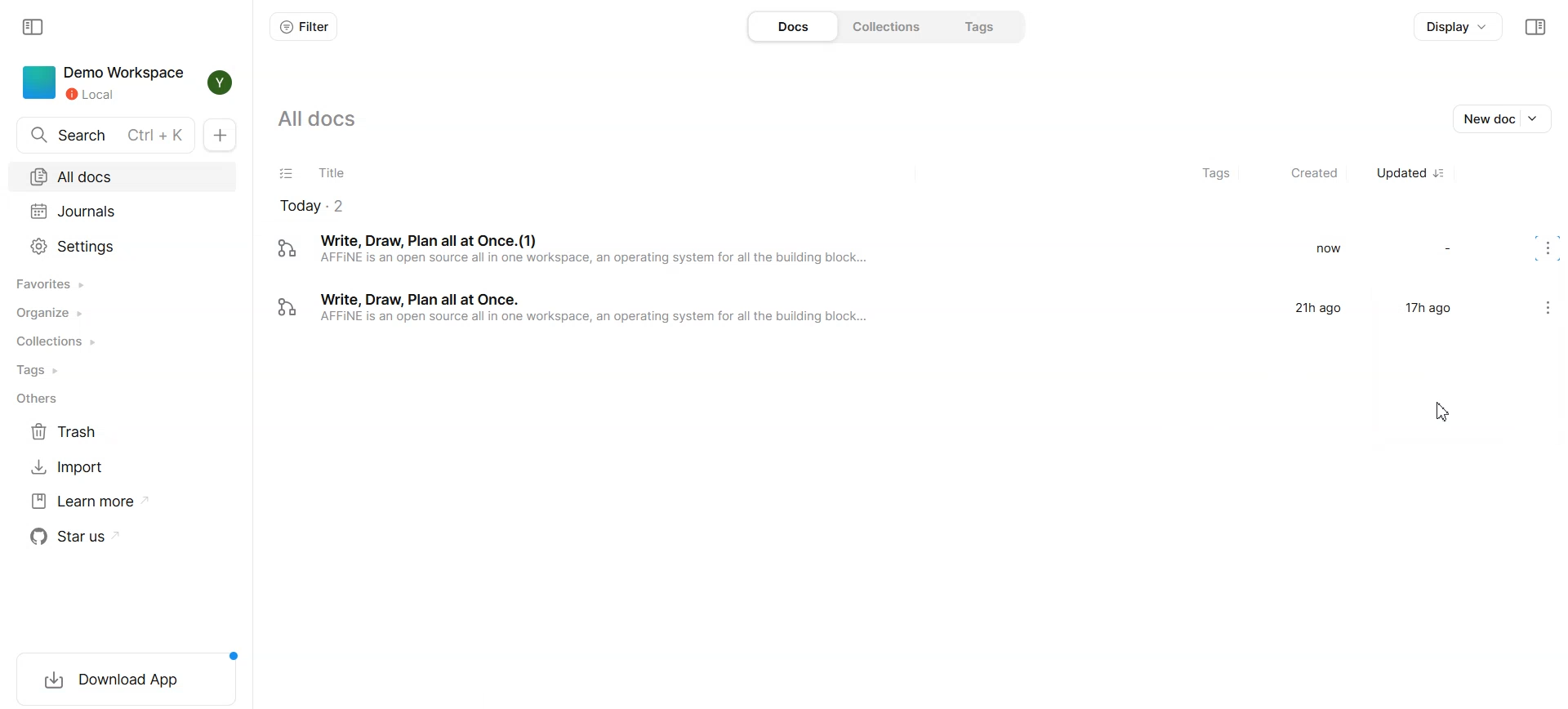  I want to click on Todays document file updated, so click(326, 206).